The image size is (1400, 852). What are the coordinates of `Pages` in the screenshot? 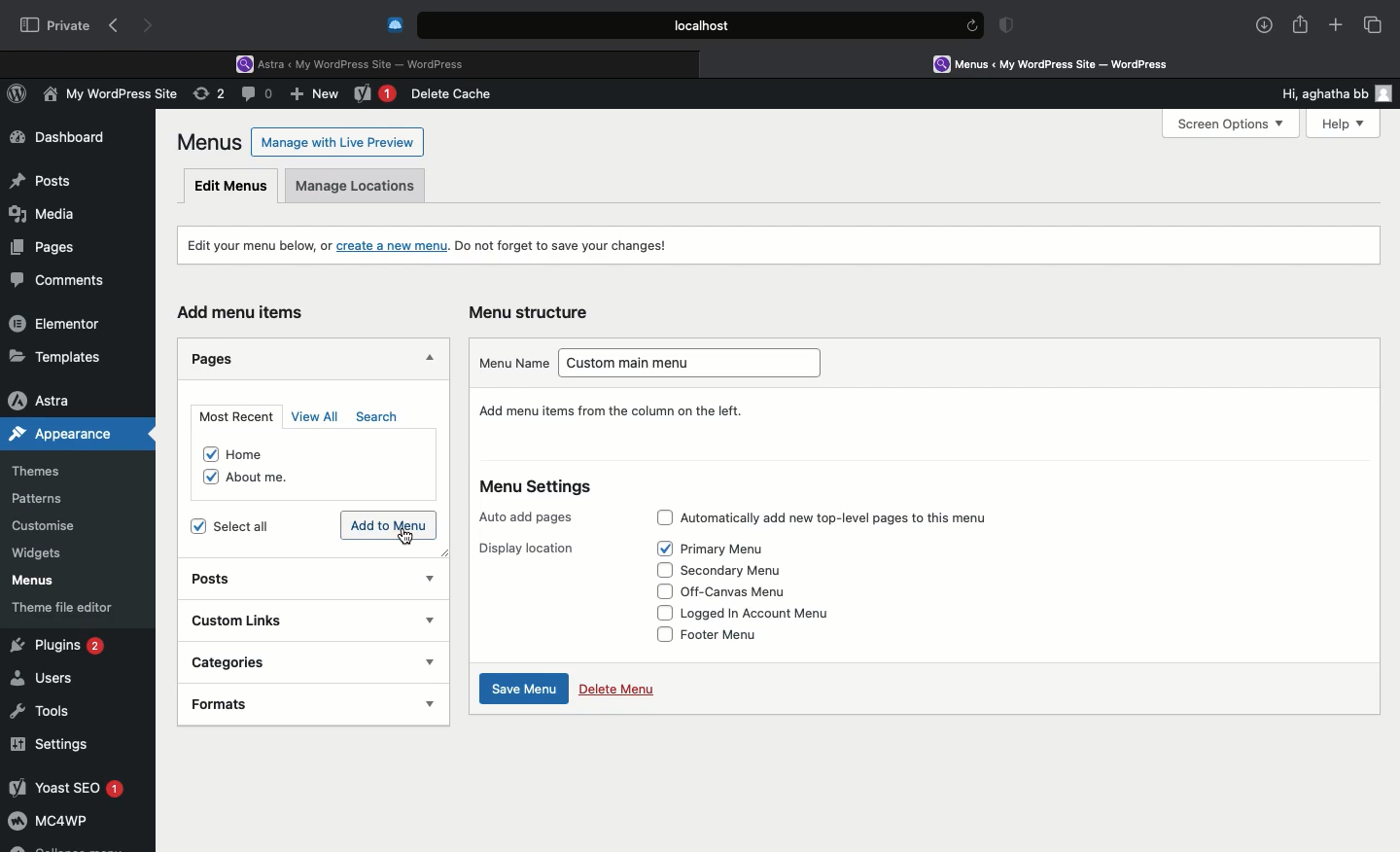 It's located at (39, 246).